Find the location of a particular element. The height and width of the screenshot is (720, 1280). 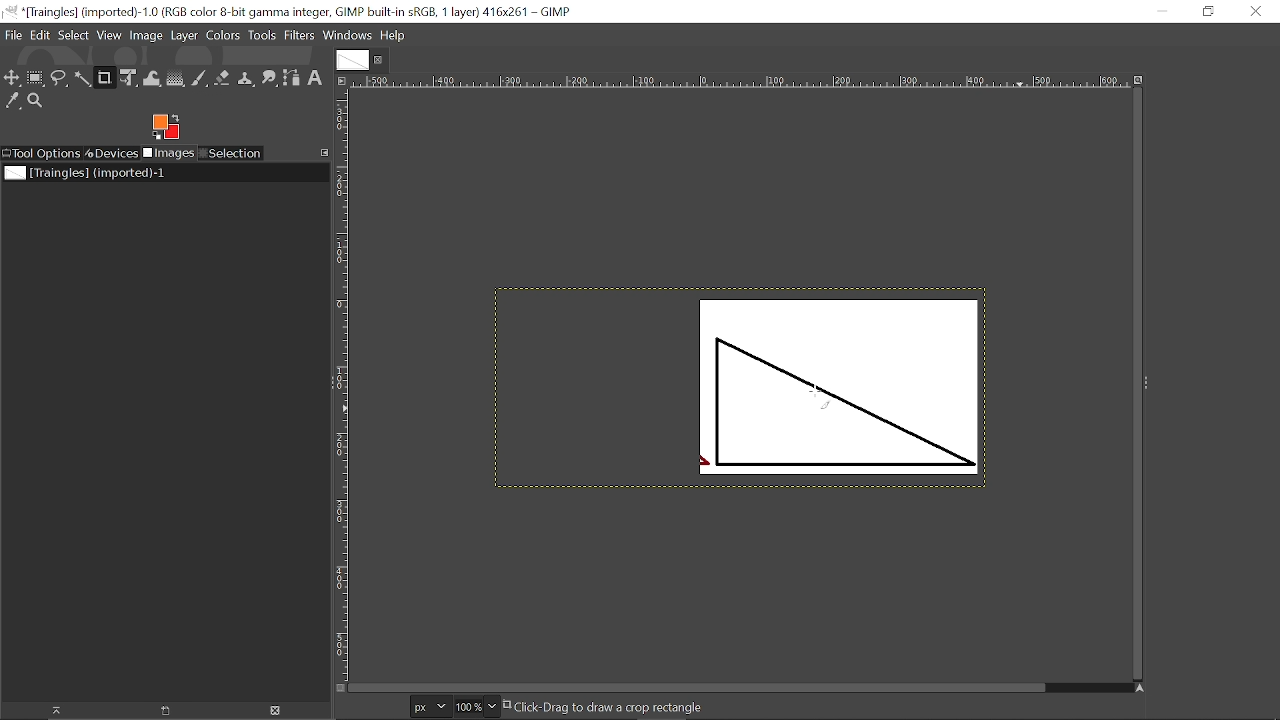

Edit is located at coordinates (42, 36).